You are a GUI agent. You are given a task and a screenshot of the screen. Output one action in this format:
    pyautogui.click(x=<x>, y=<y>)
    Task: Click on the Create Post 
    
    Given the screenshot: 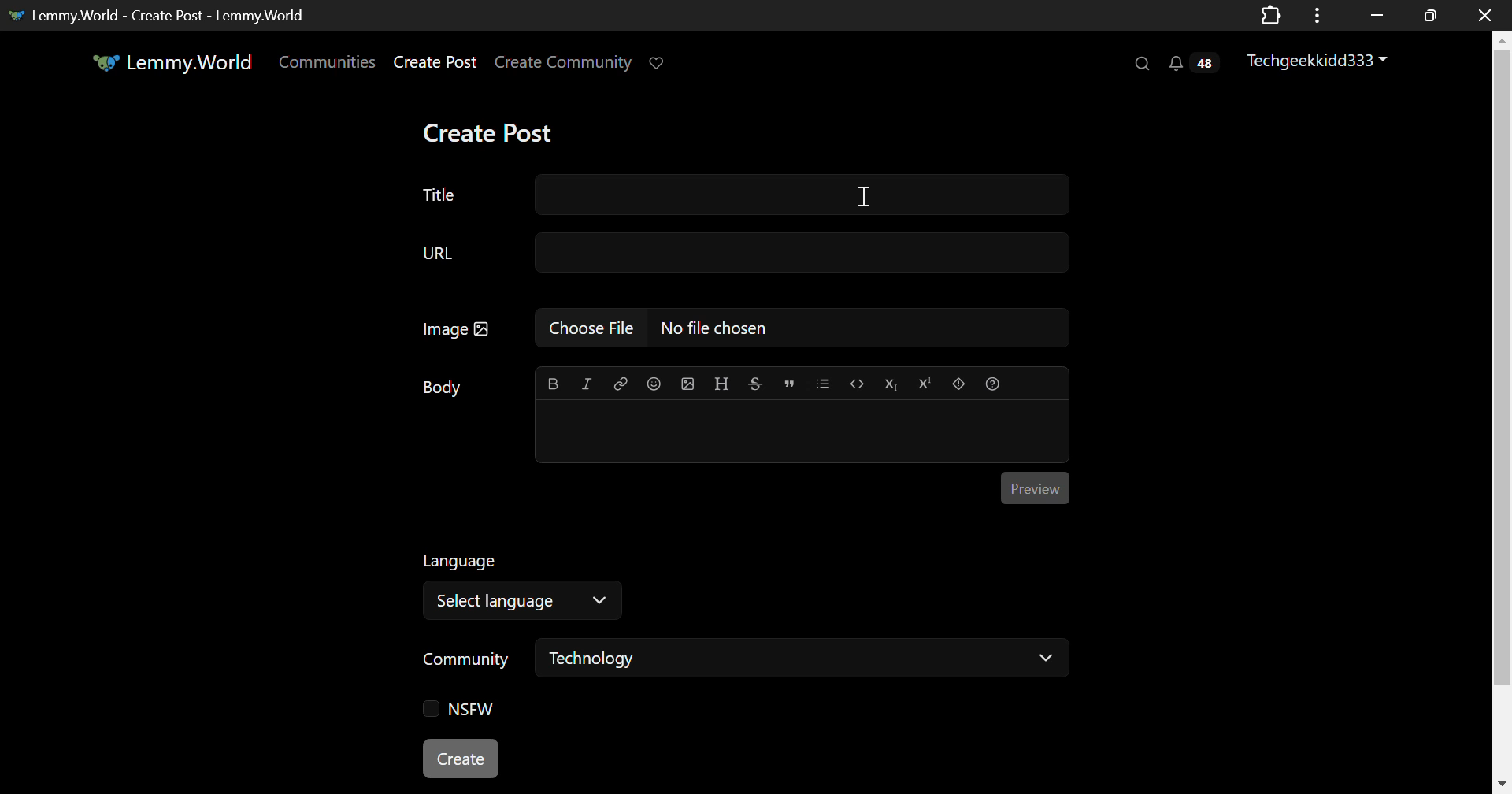 What is the action you would take?
    pyautogui.click(x=491, y=132)
    